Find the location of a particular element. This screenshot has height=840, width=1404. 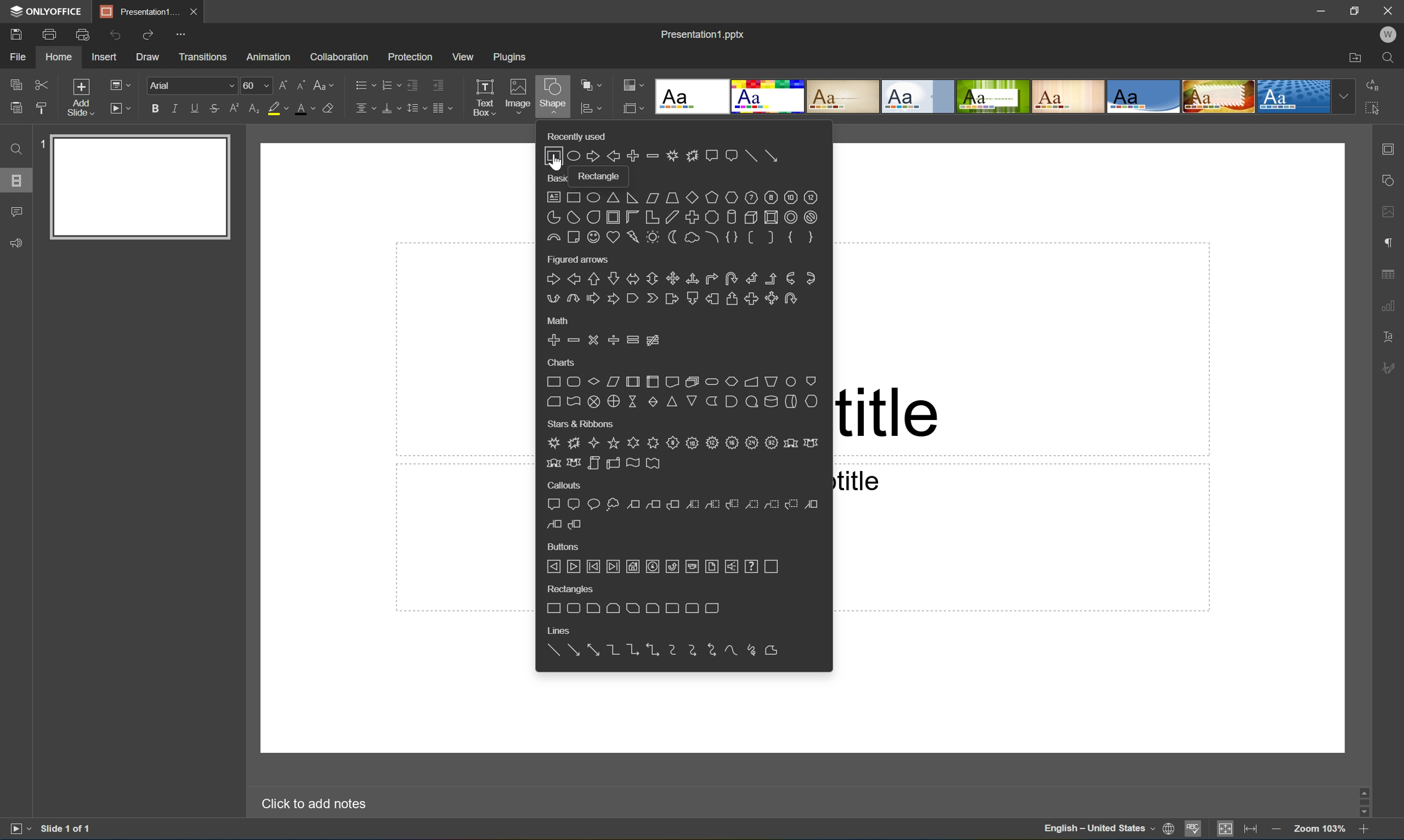

Presentation1... is located at coordinates (136, 11).